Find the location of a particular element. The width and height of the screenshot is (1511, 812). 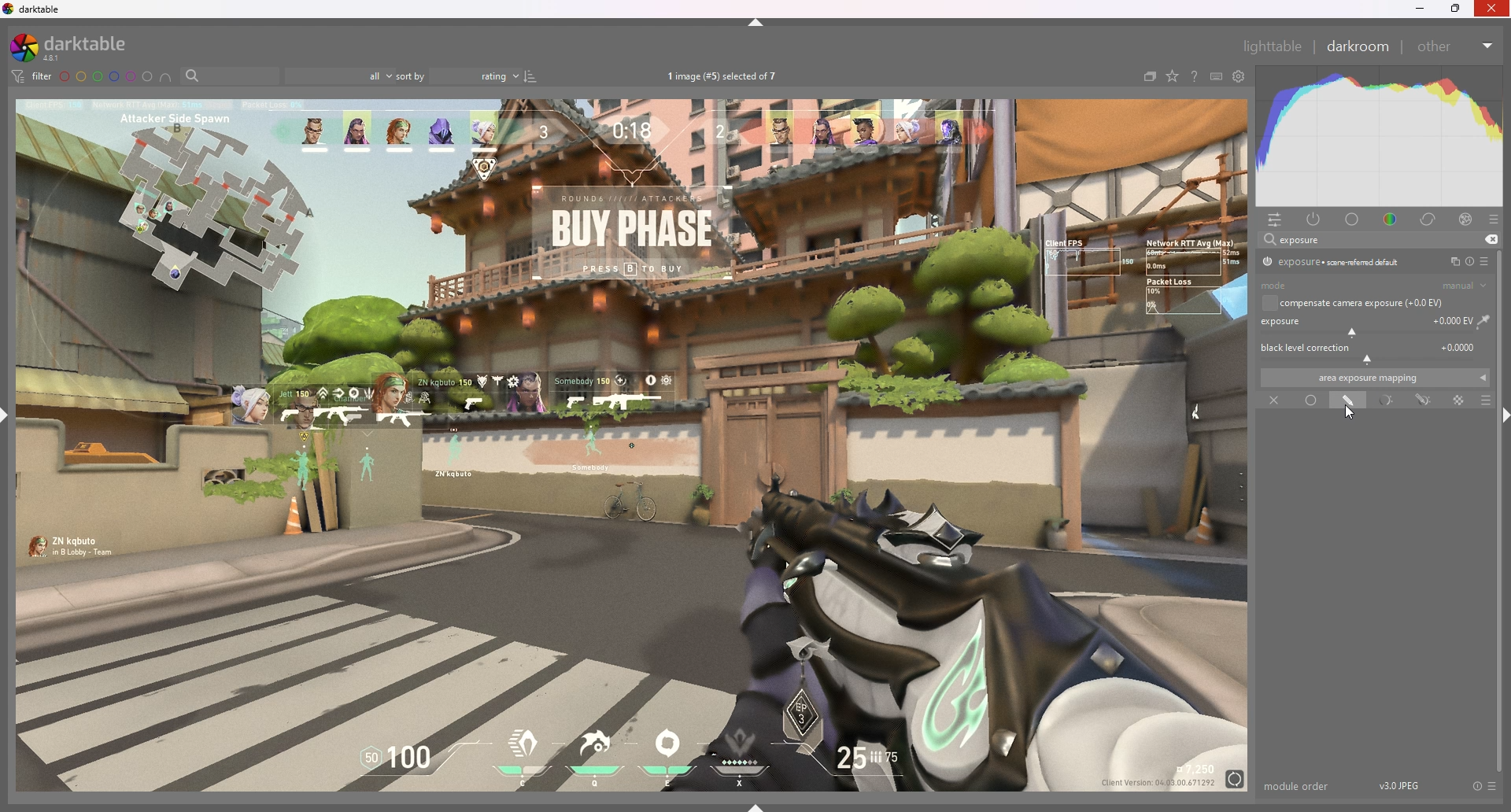

module order is located at coordinates (1298, 786).